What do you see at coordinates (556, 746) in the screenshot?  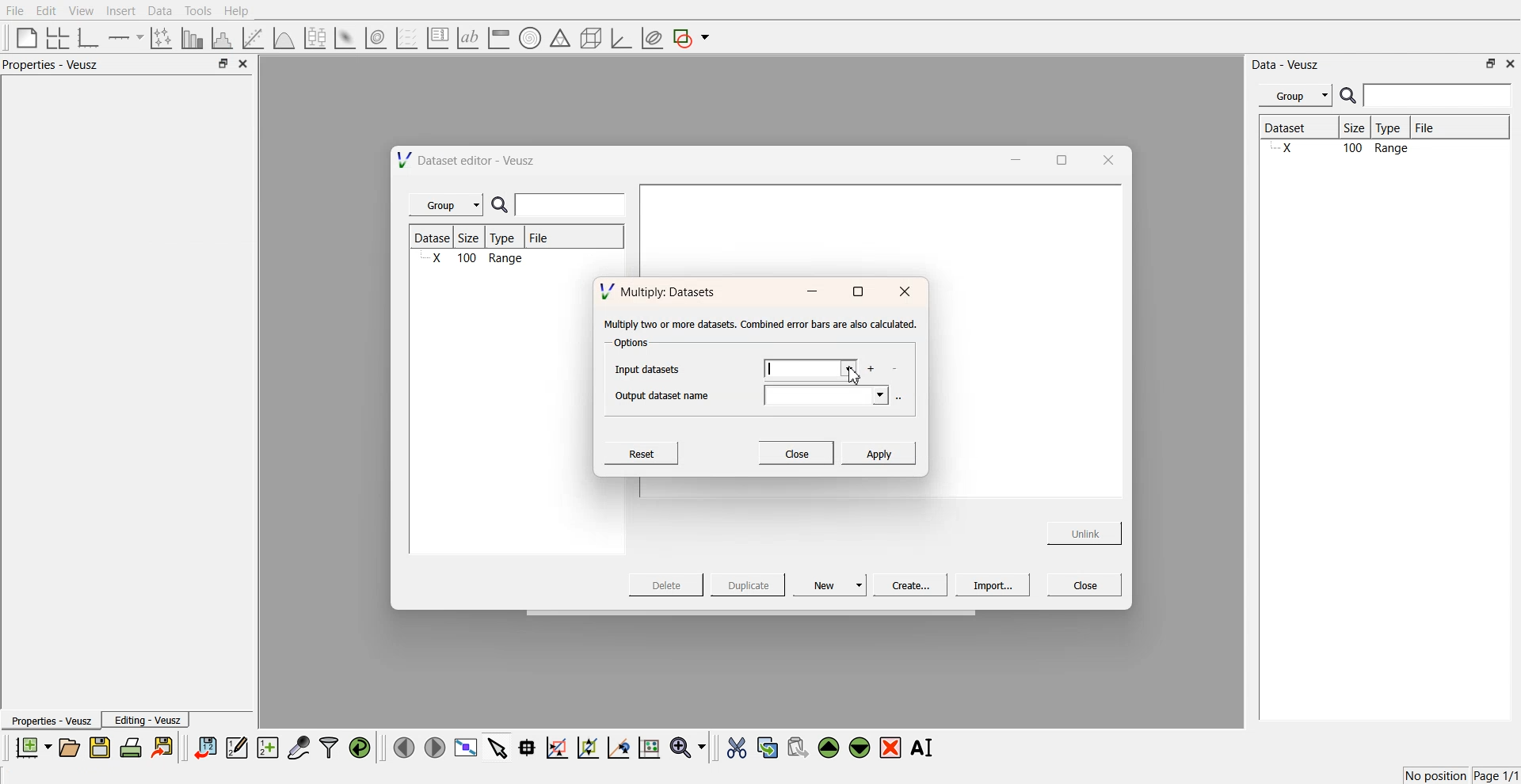 I see `draw a rectangle on zoom graph axes` at bounding box center [556, 746].